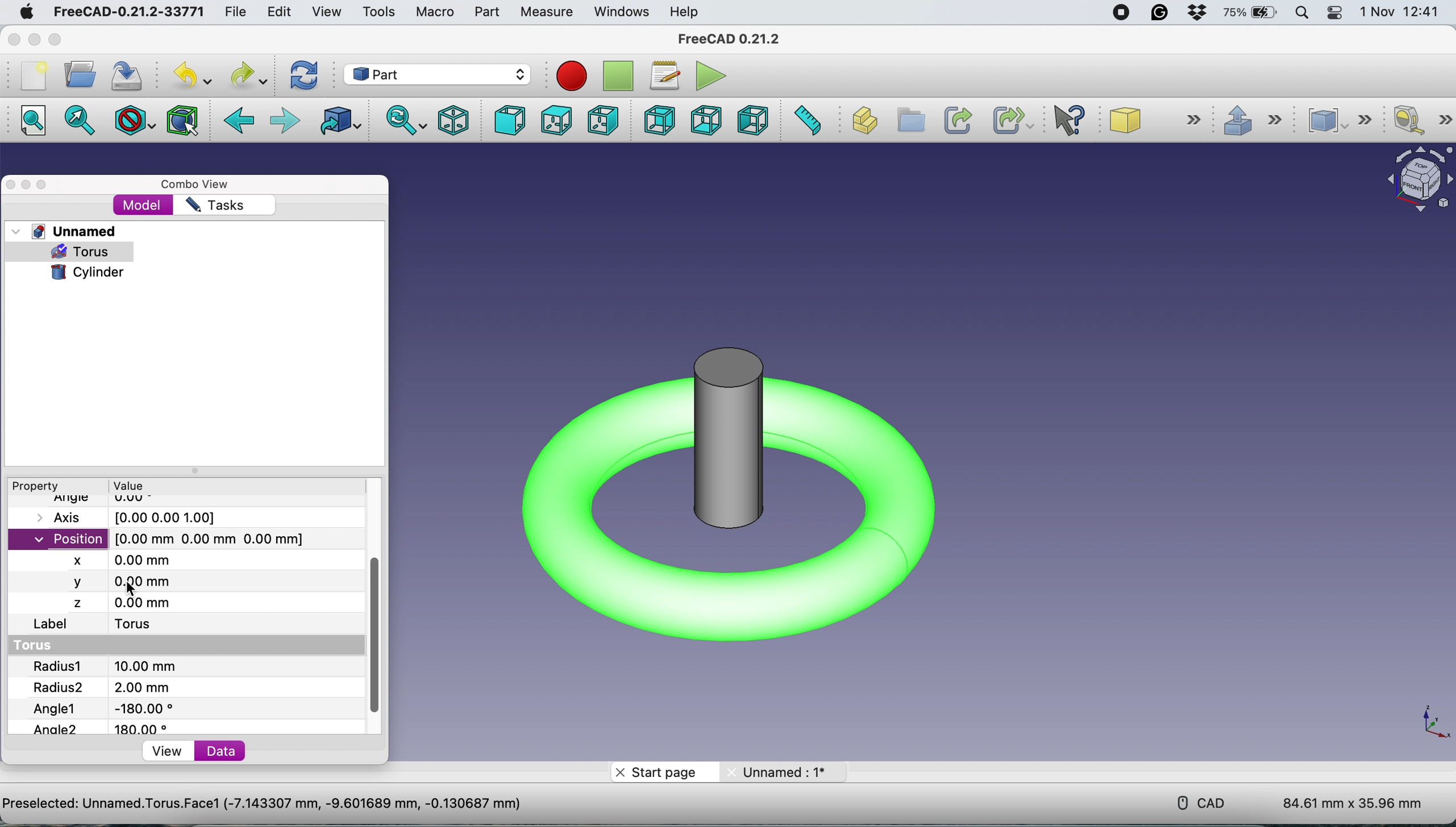 This screenshot has height=827, width=1456. I want to click on view, so click(326, 12).